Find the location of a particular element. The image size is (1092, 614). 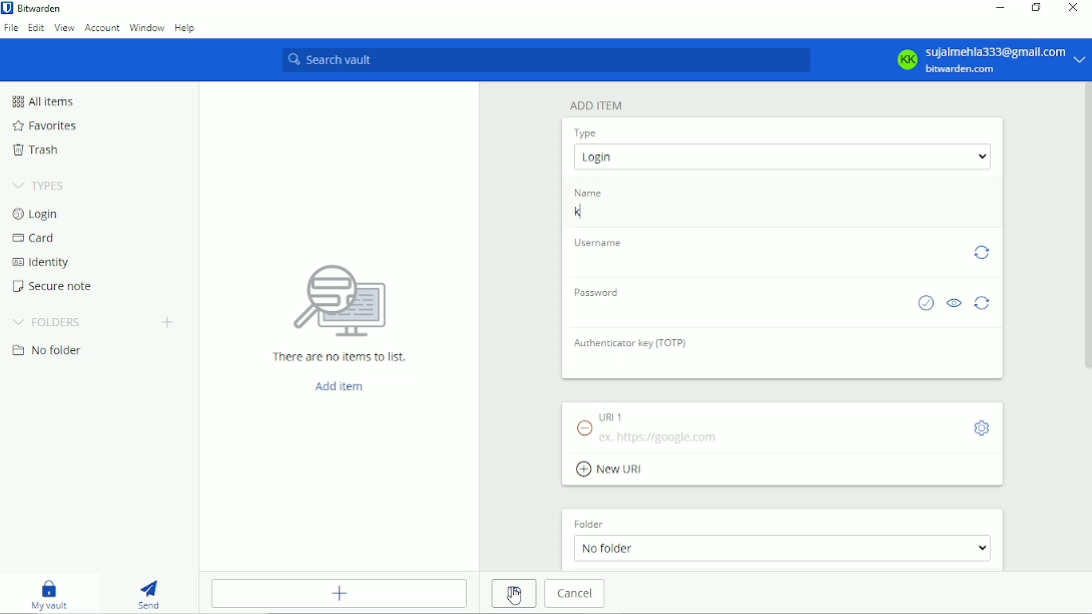

Password is located at coordinates (595, 292).